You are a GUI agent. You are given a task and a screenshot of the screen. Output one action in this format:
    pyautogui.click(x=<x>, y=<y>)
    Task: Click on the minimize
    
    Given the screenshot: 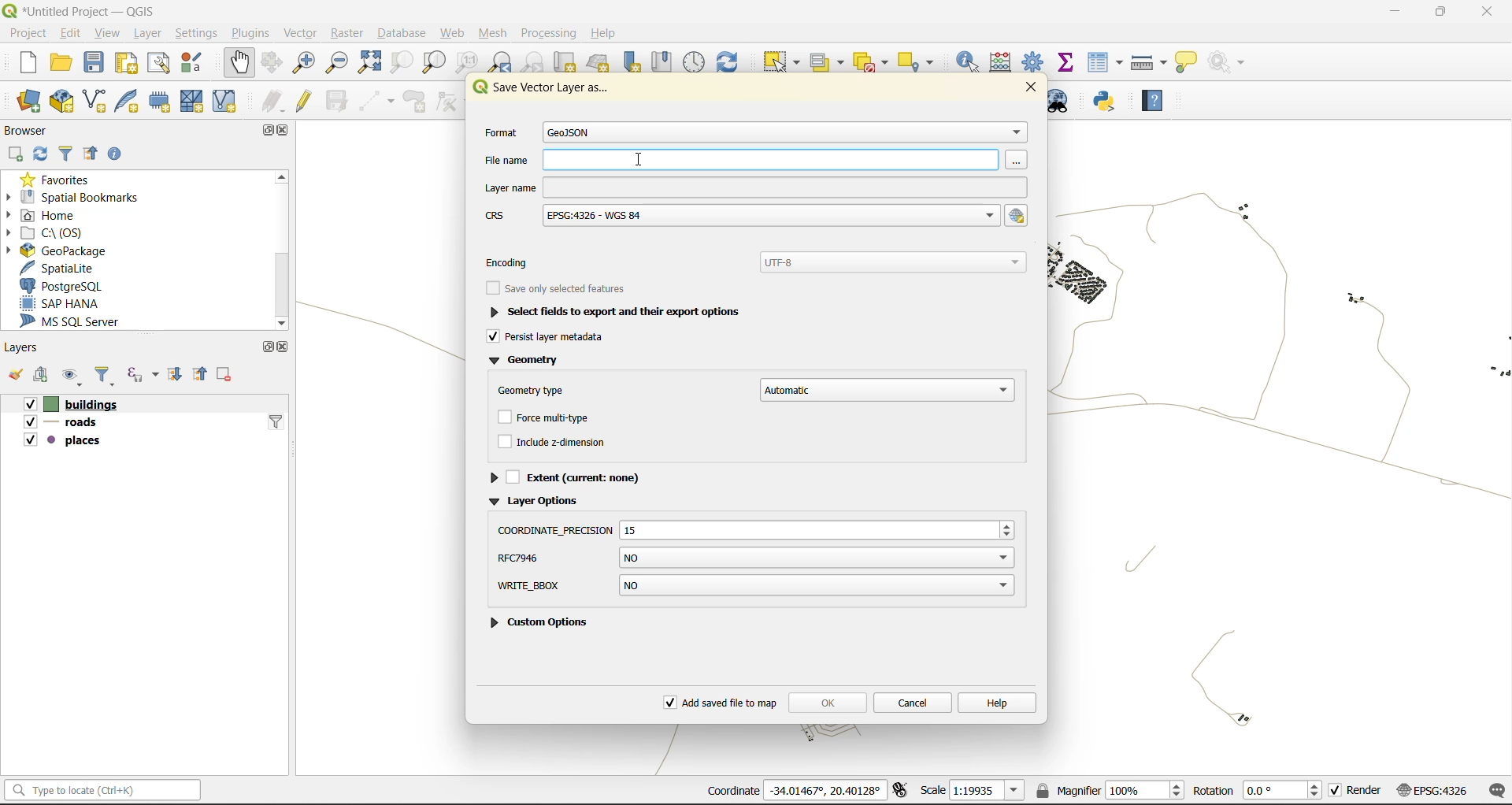 What is the action you would take?
    pyautogui.click(x=1390, y=15)
    